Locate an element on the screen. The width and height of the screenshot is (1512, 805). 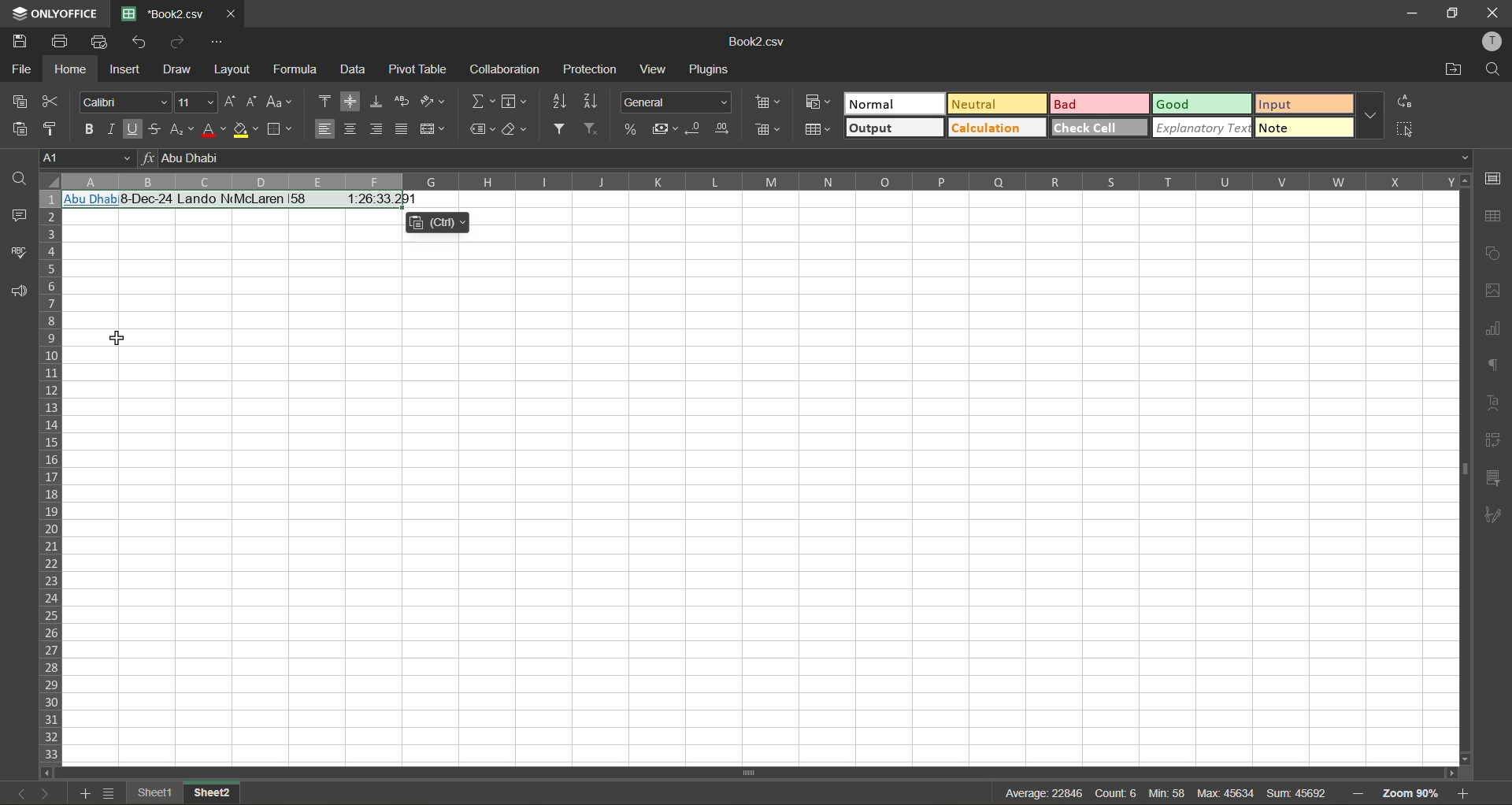
shapes is located at coordinates (1495, 254).